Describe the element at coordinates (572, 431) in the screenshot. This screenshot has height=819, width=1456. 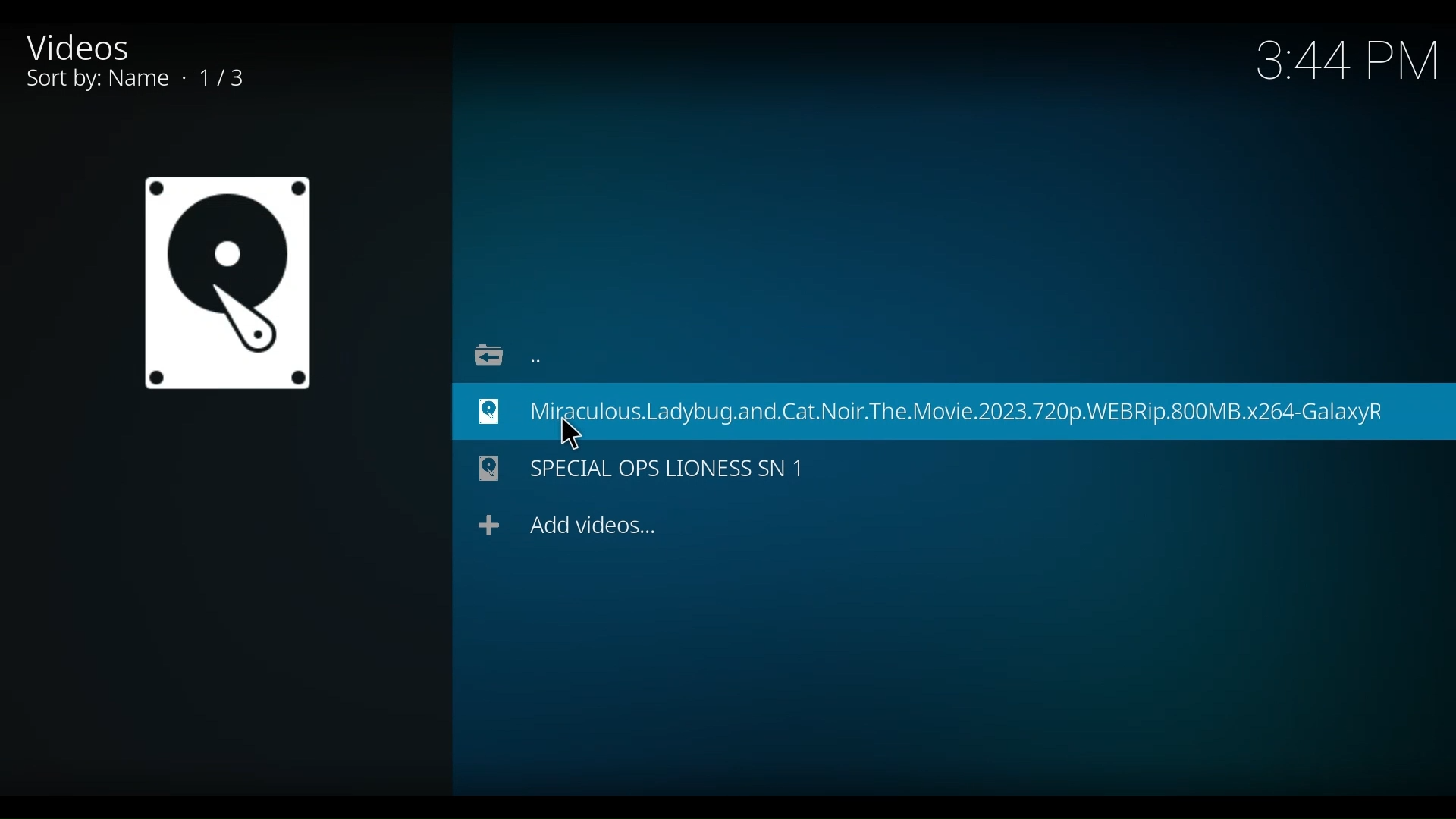
I see `Cursor` at that location.